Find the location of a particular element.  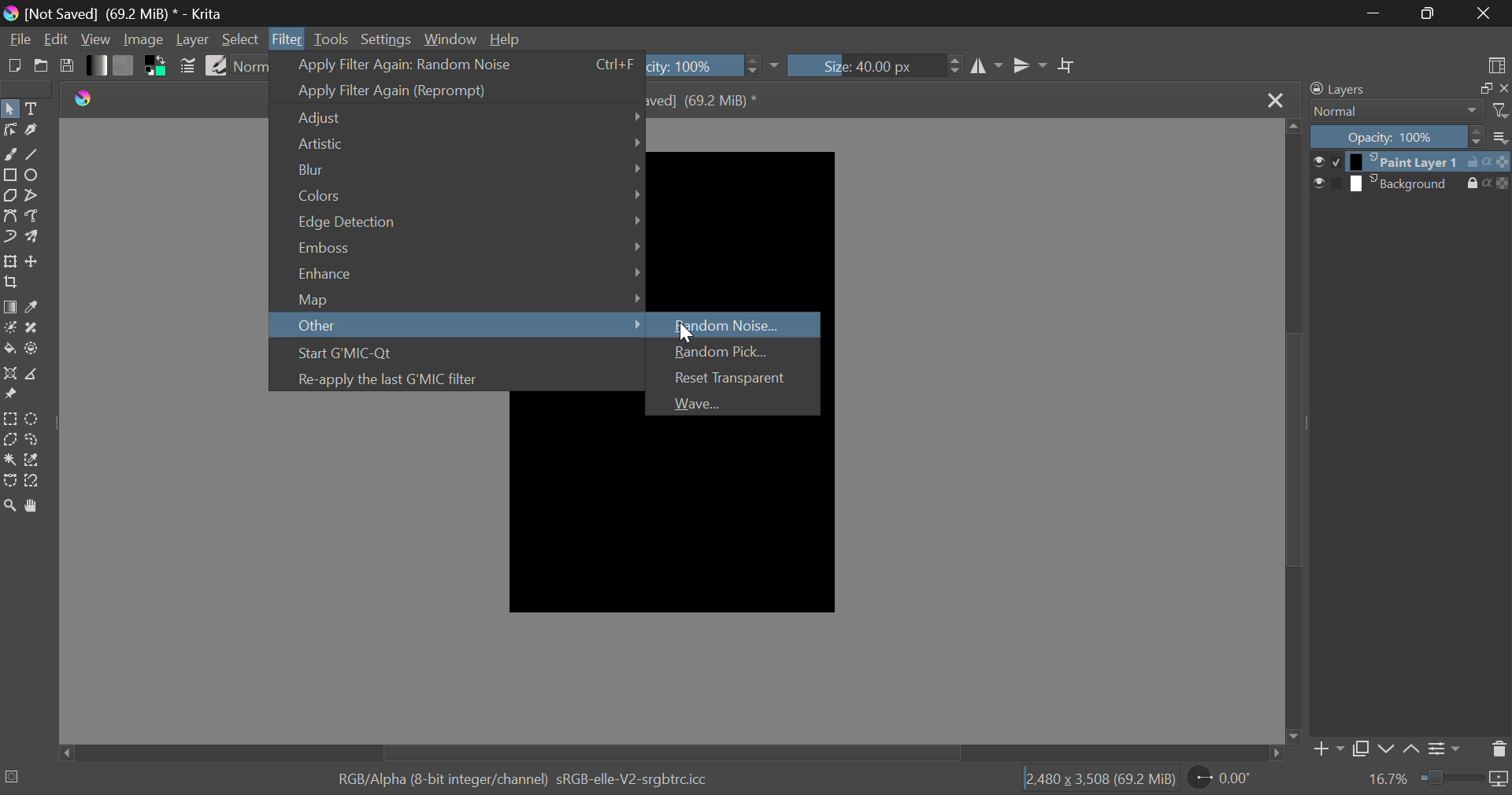

Tools is located at coordinates (332, 38).